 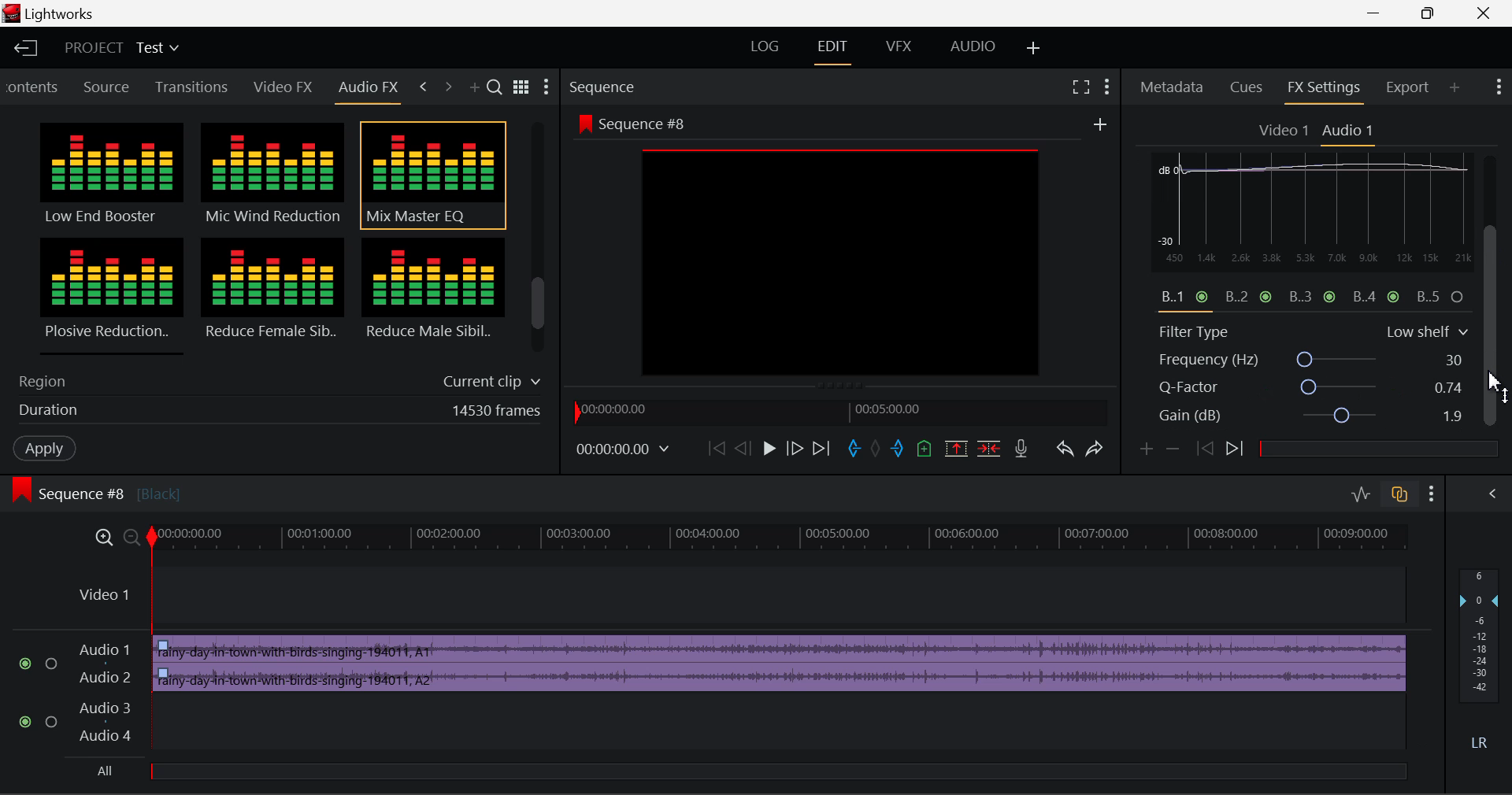 What do you see at coordinates (1380, 13) in the screenshot?
I see `Restore Down` at bounding box center [1380, 13].